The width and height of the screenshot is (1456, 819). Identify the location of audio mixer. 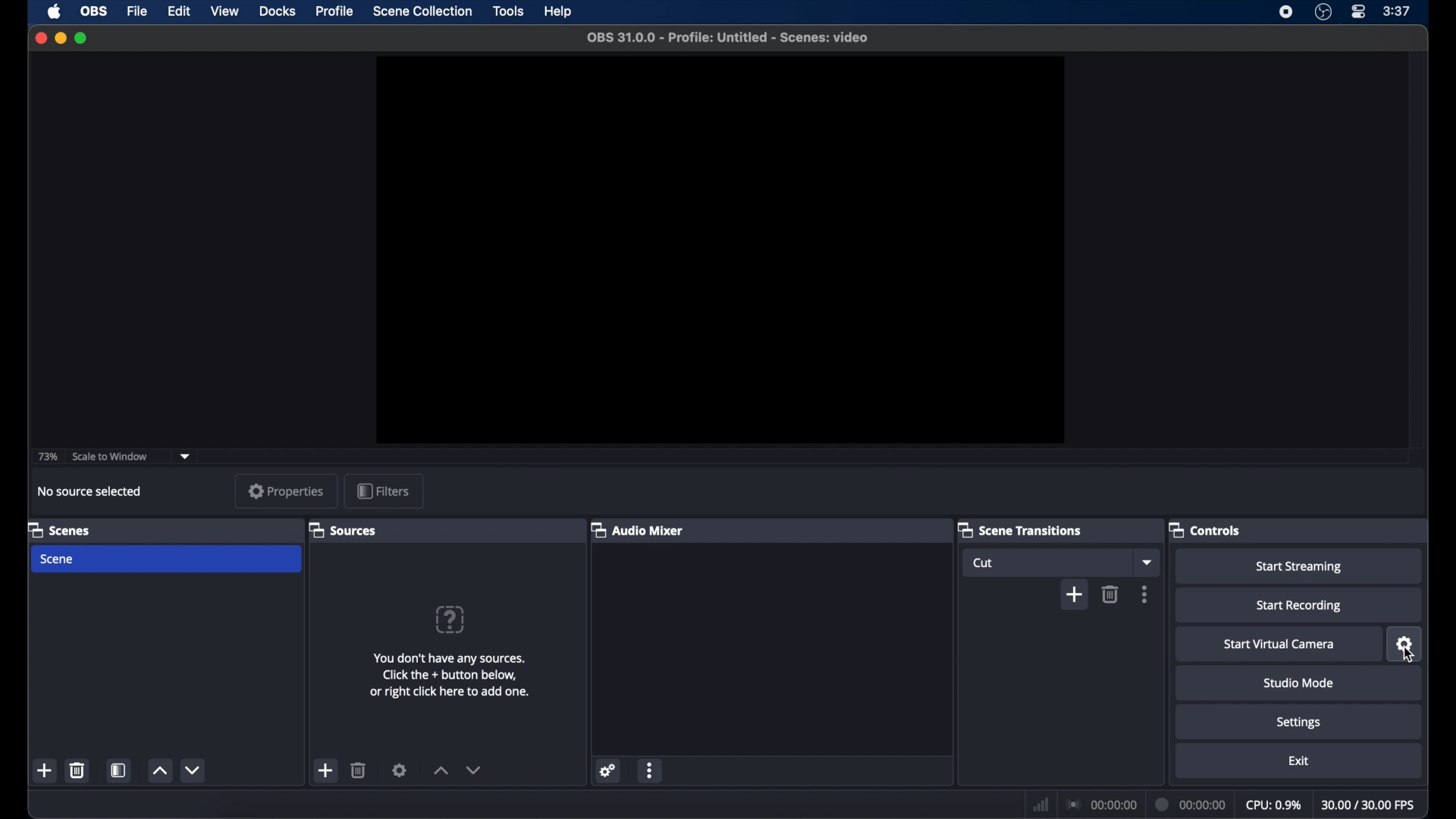
(638, 529).